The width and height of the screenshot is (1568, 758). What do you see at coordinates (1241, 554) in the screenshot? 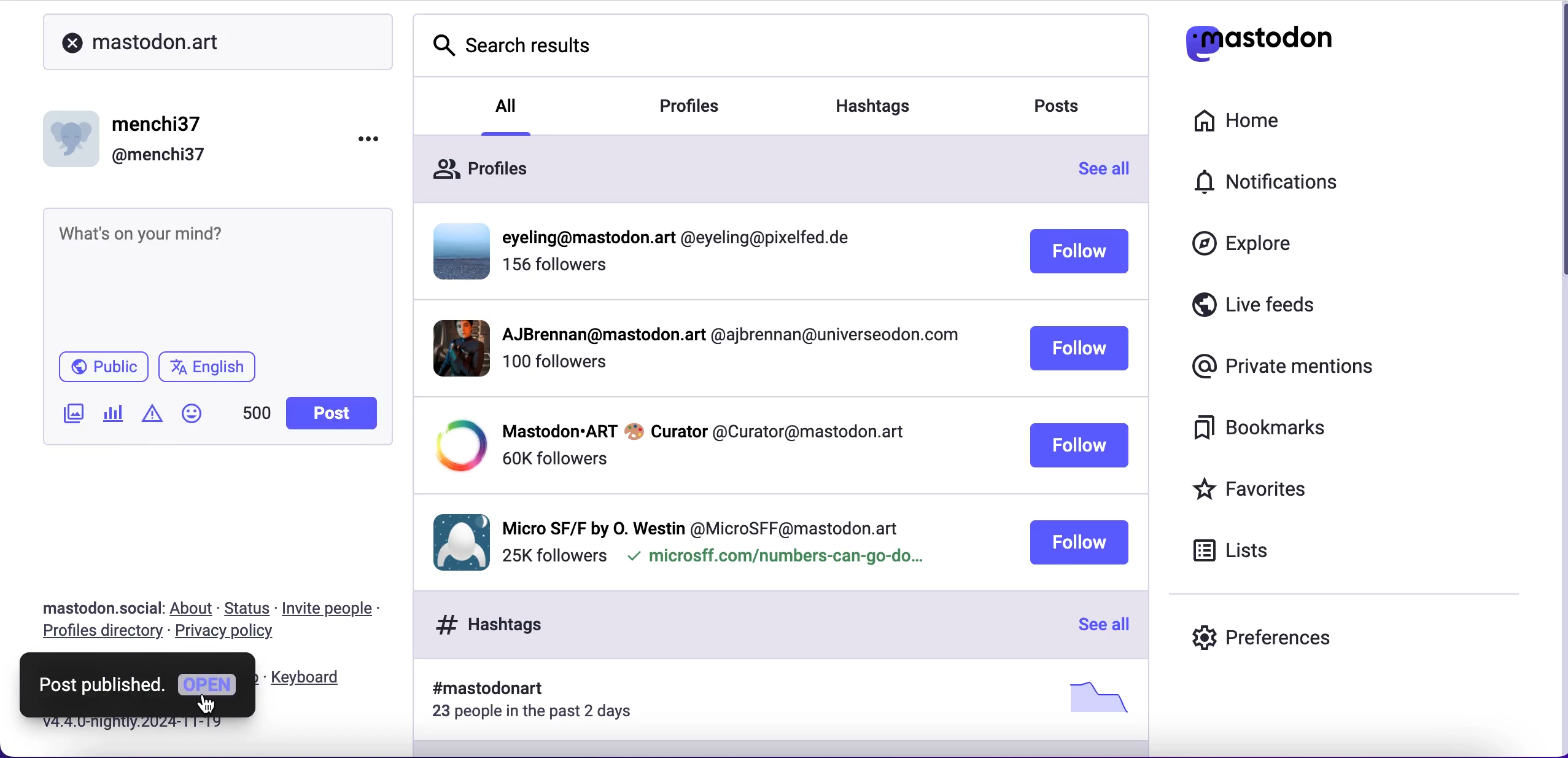
I see `lists` at bounding box center [1241, 554].